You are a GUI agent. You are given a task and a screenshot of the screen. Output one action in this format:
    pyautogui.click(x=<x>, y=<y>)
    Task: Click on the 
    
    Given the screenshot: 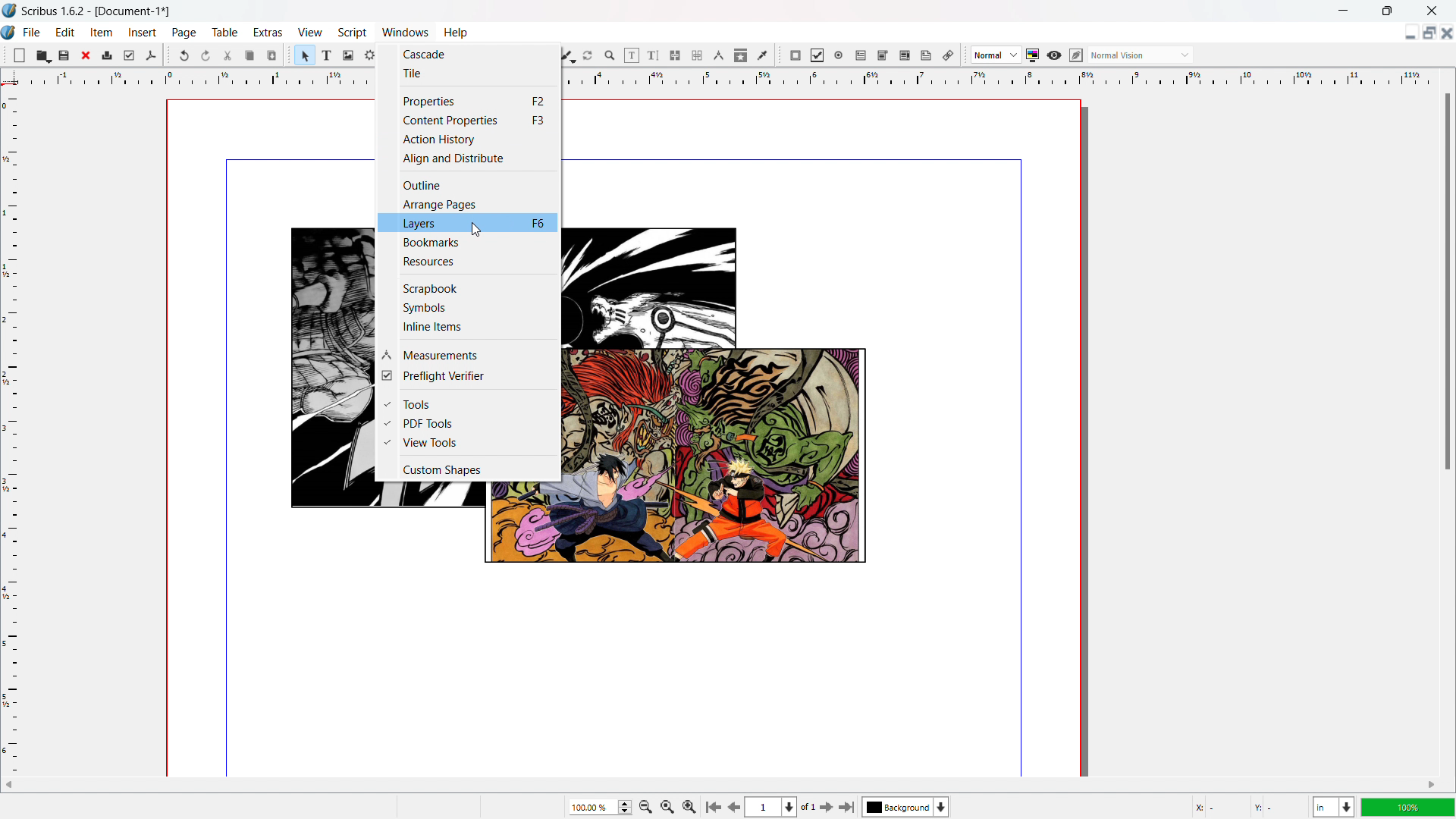 What is the action you would take?
    pyautogui.click(x=469, y=306)
    